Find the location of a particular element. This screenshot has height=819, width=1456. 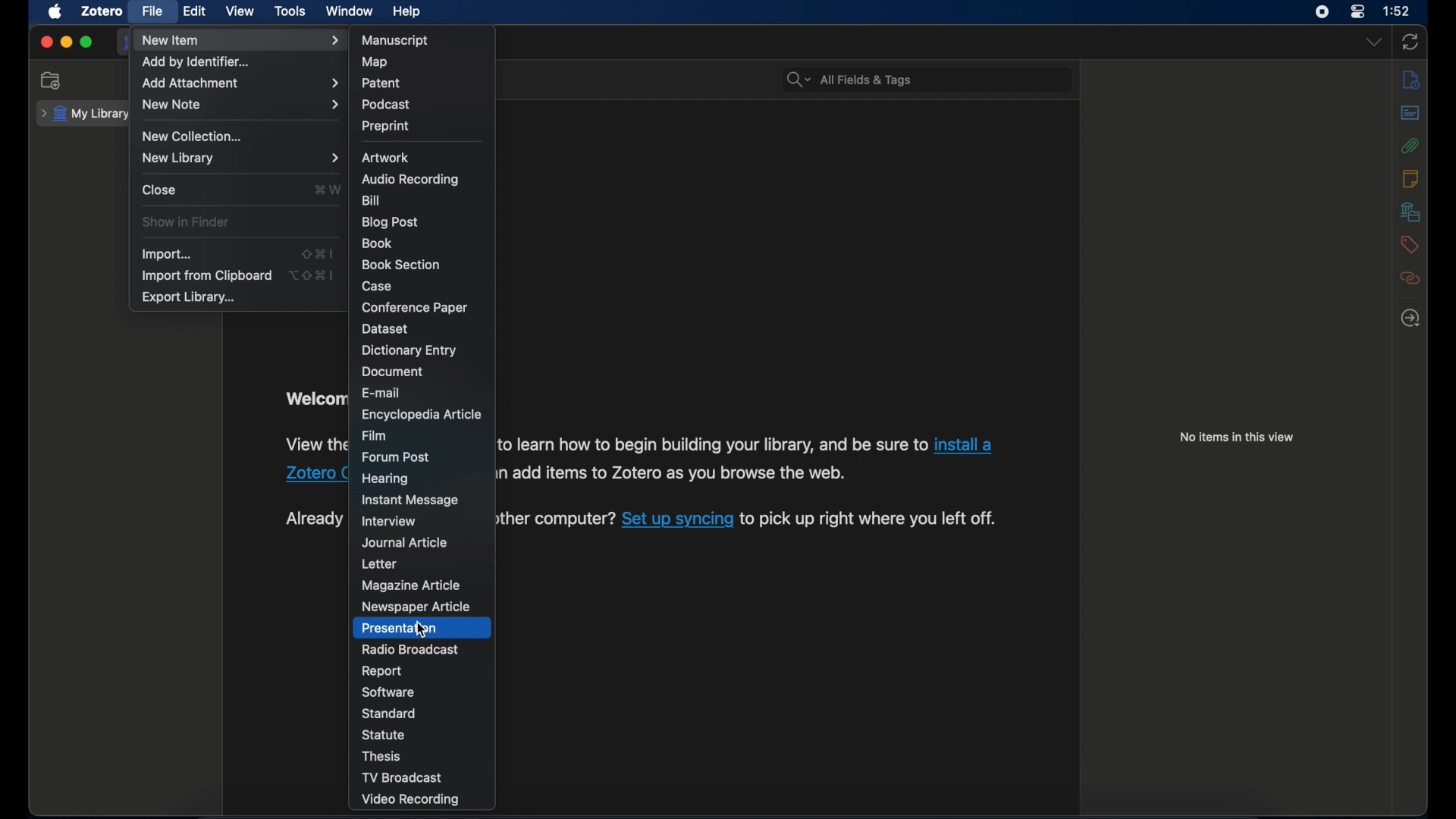

preprint is located at coordinates (386, 126).